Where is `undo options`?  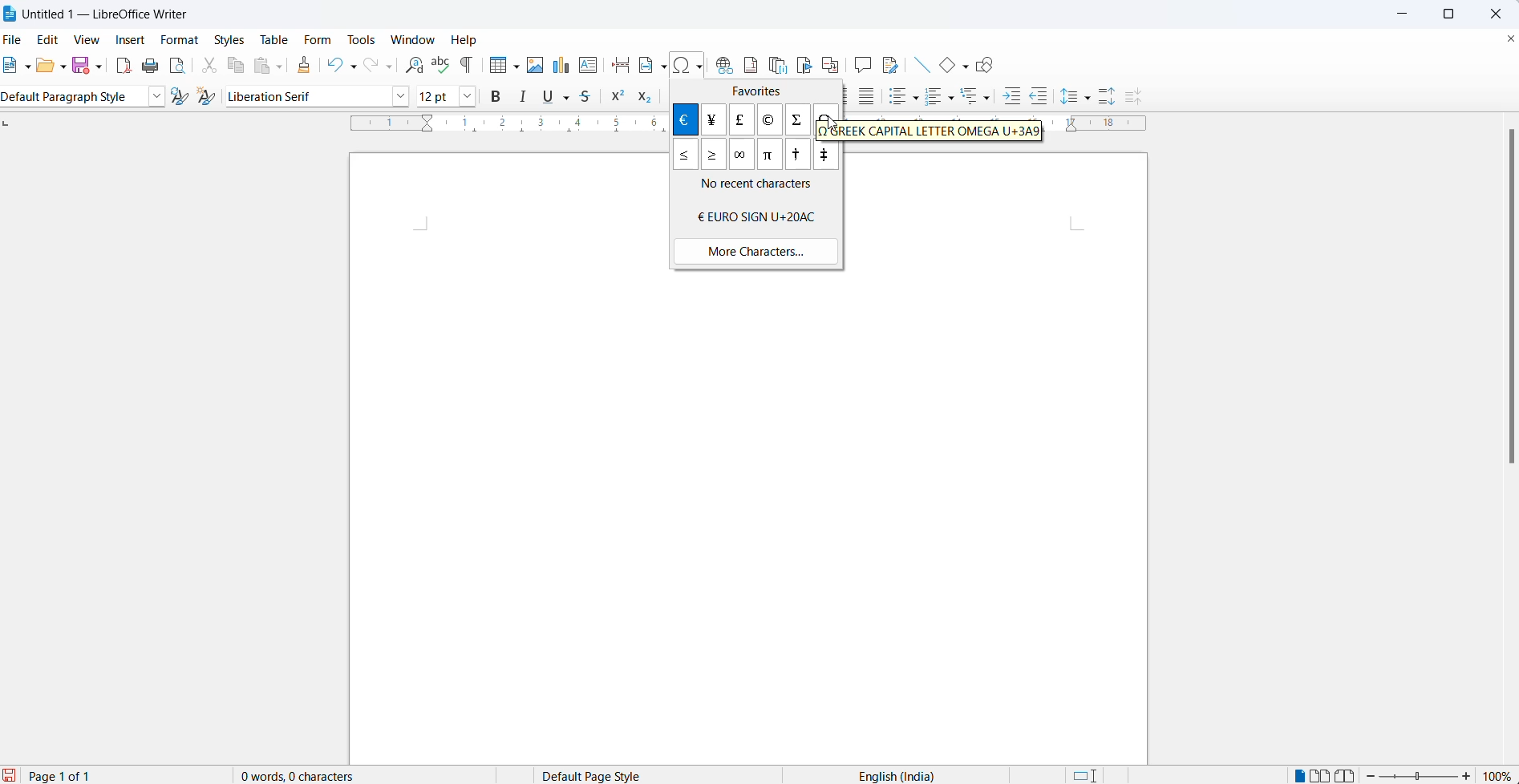
undo options is located at coordinates (352, 64).